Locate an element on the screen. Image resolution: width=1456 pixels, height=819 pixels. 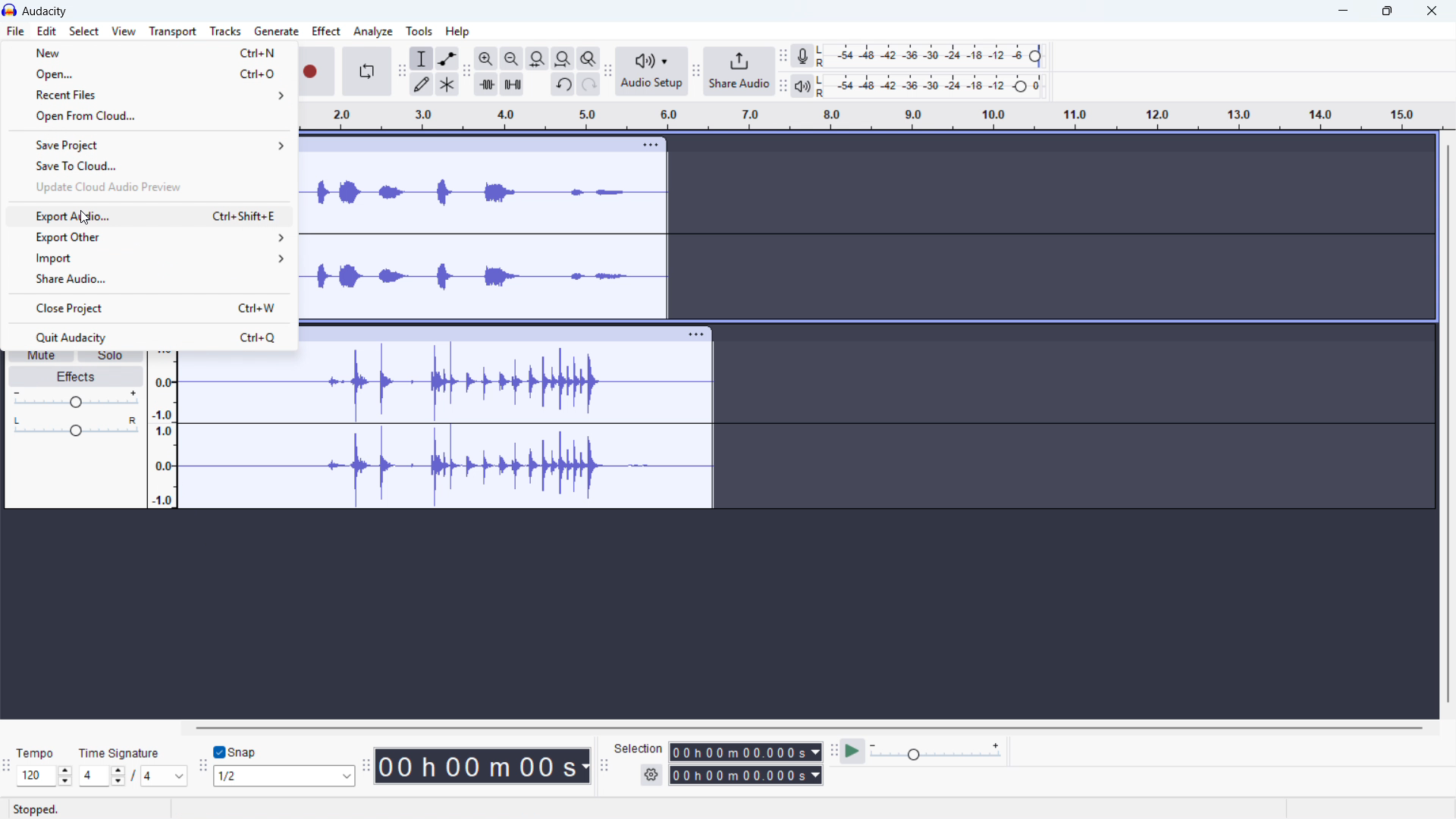
Share audio toolbar is located at coordinates (696, 72).